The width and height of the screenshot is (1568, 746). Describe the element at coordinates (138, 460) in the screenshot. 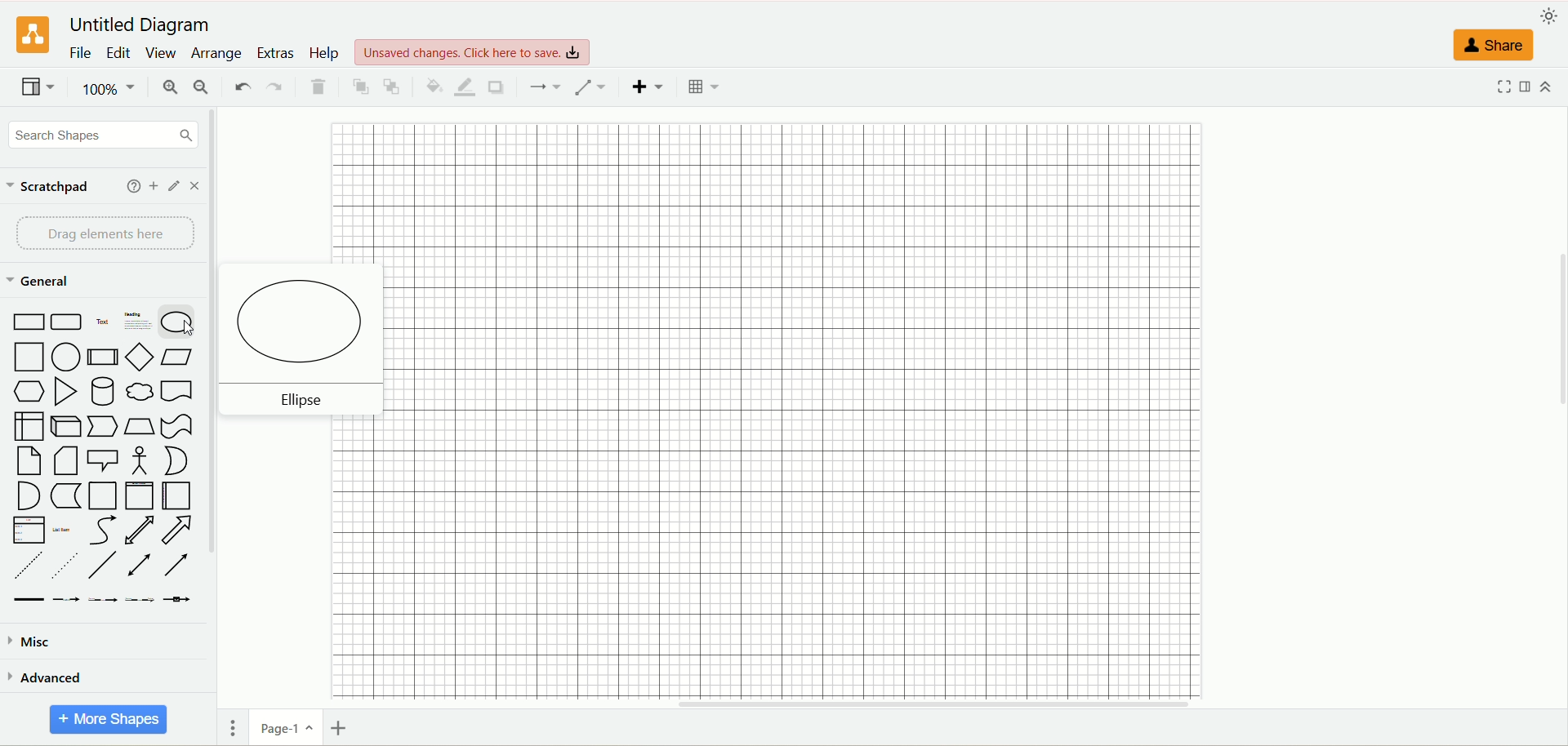

I see `actor` at that location.